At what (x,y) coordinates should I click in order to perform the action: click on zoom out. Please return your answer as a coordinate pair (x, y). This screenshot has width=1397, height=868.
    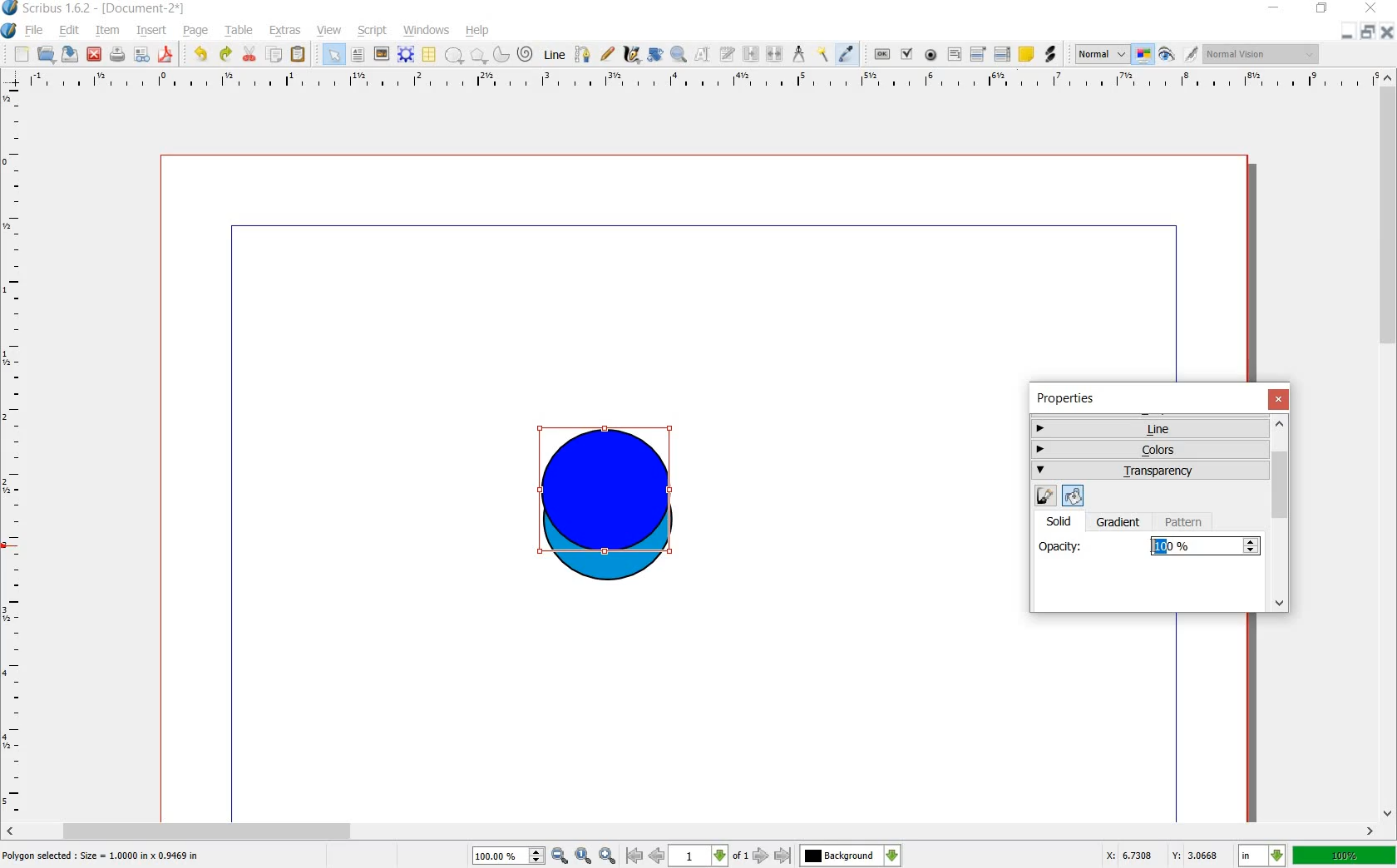
    Looking at the image, I should click on (560, 856).